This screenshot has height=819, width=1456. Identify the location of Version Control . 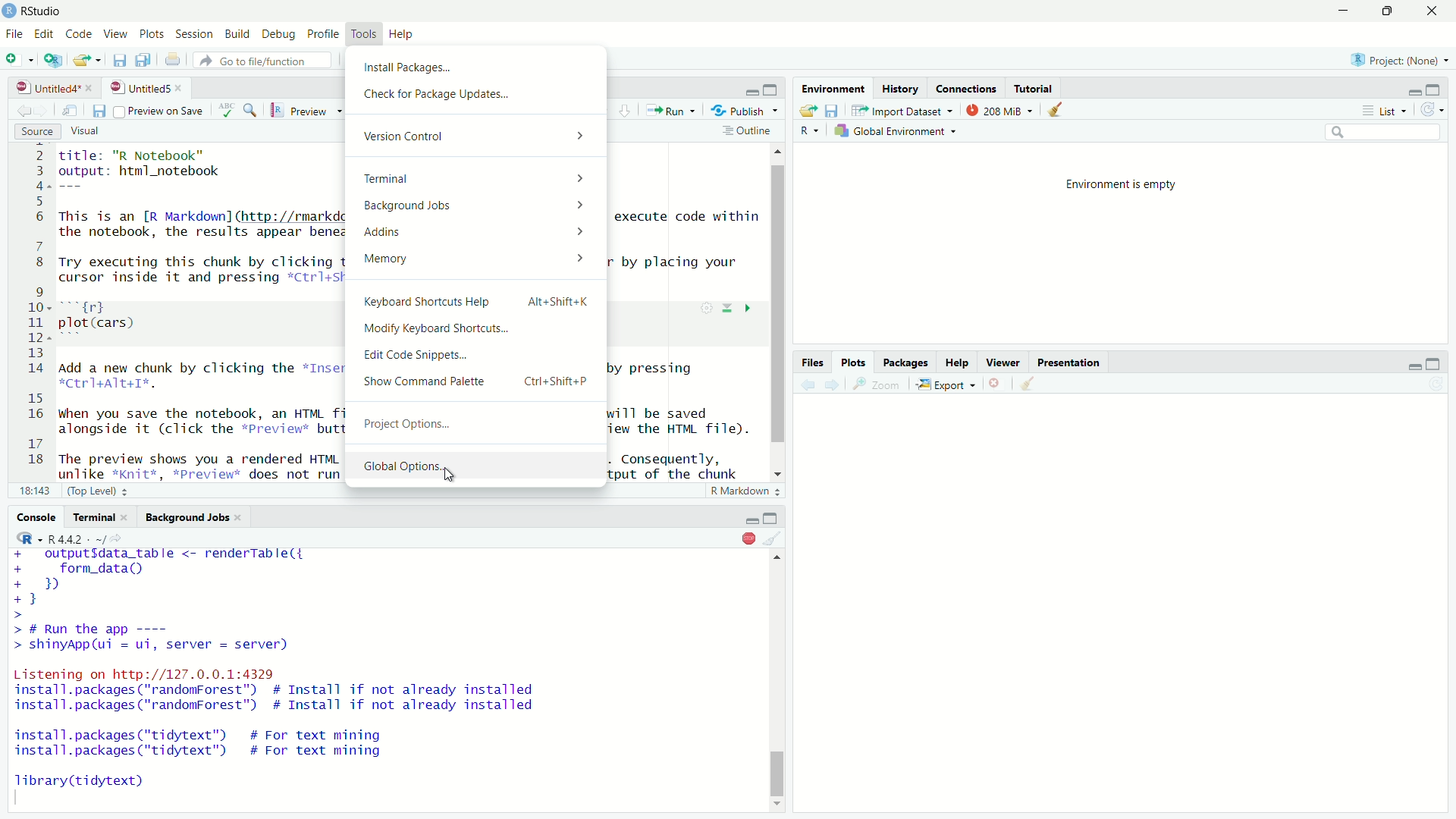
(471, 135).